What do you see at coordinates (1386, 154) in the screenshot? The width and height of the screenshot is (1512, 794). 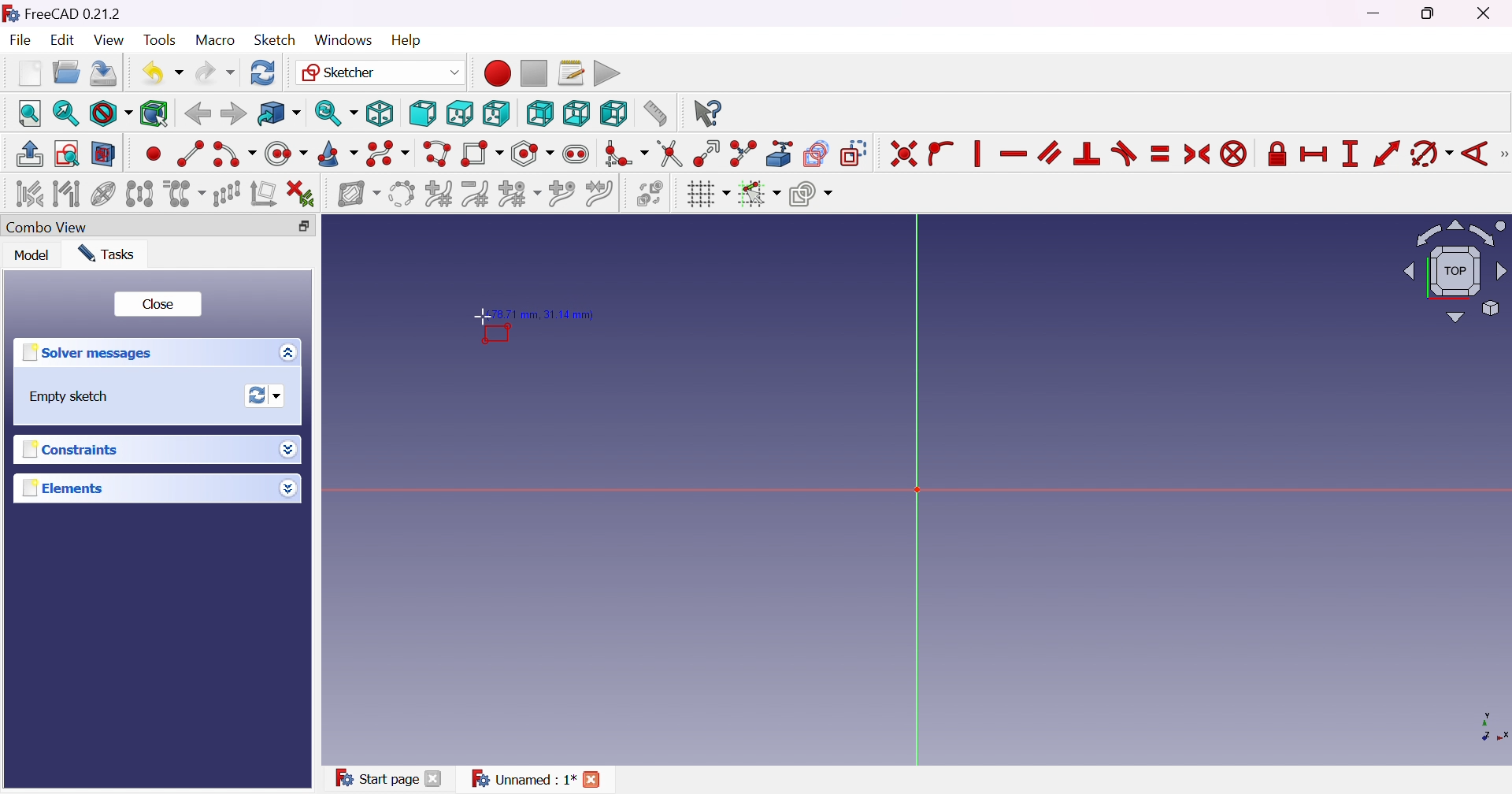 I see `Constrain distance` at bounding box center [1386, 154].